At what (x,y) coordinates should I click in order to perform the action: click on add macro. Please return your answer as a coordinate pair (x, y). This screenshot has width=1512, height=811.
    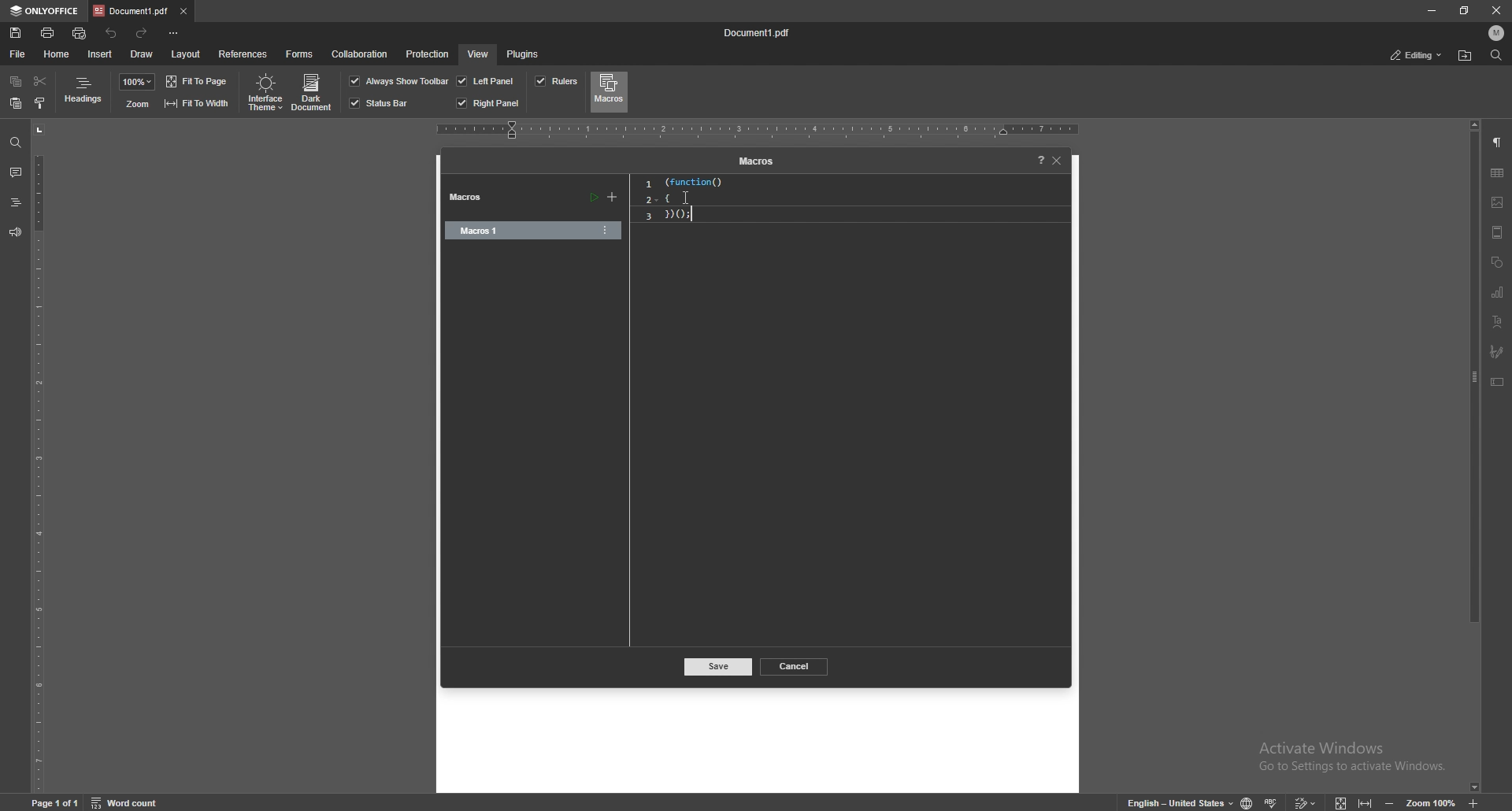
    Looking at the image, I should click on (613, 198).